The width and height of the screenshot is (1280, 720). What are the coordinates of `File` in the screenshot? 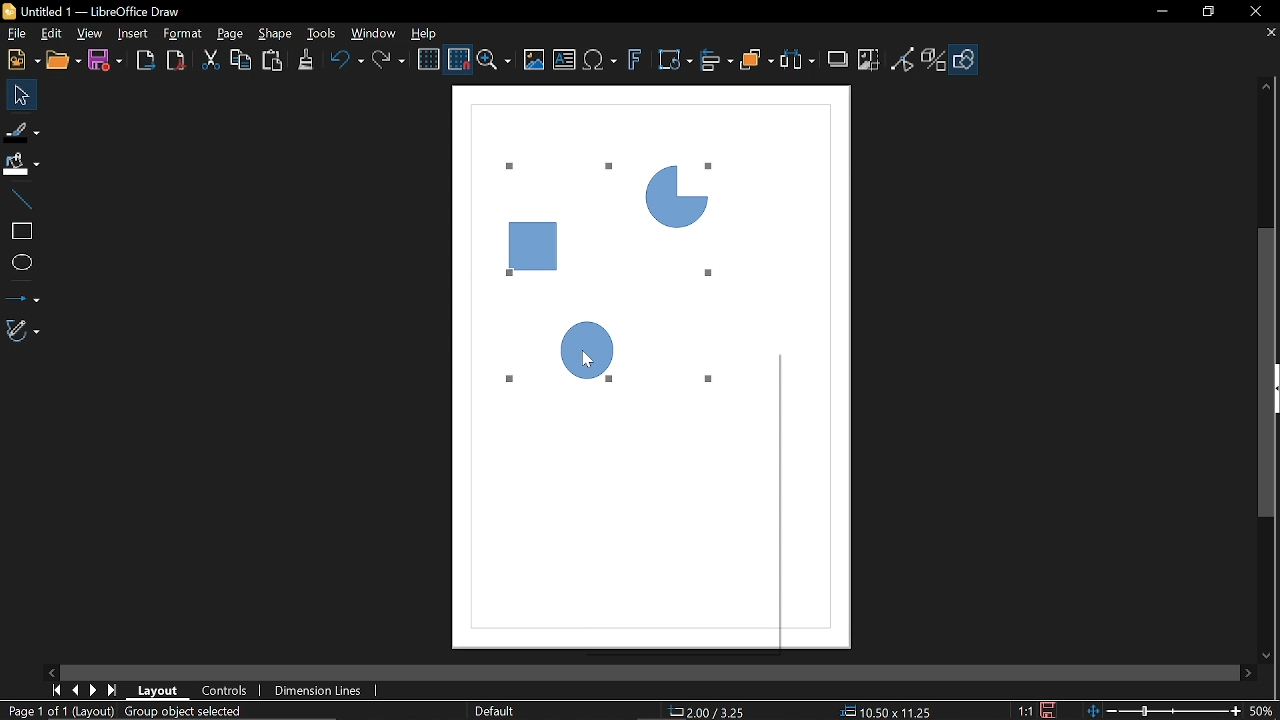 It's located at (14, 34).